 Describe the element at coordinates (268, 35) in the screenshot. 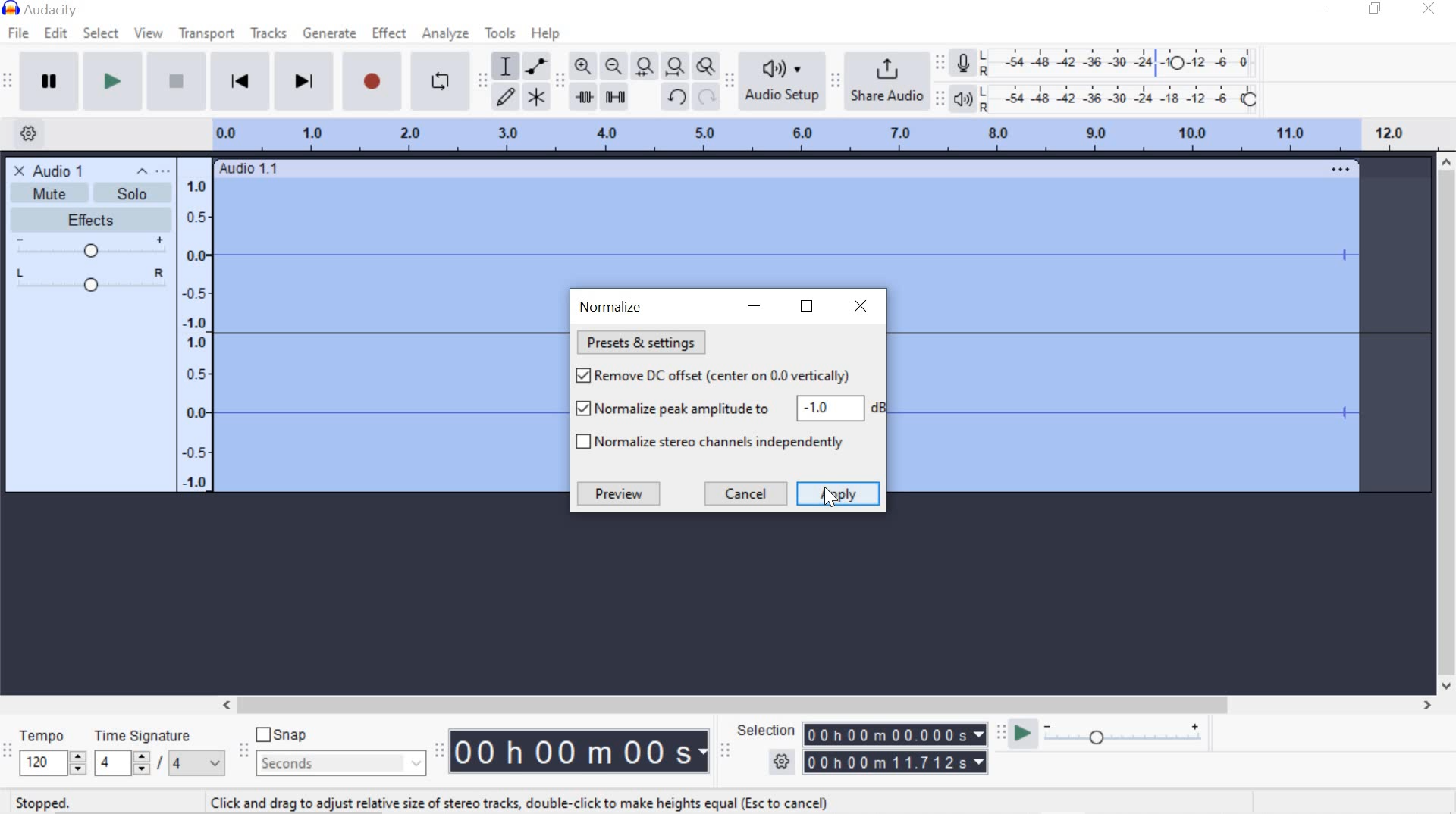

I see `tracks` at that location.